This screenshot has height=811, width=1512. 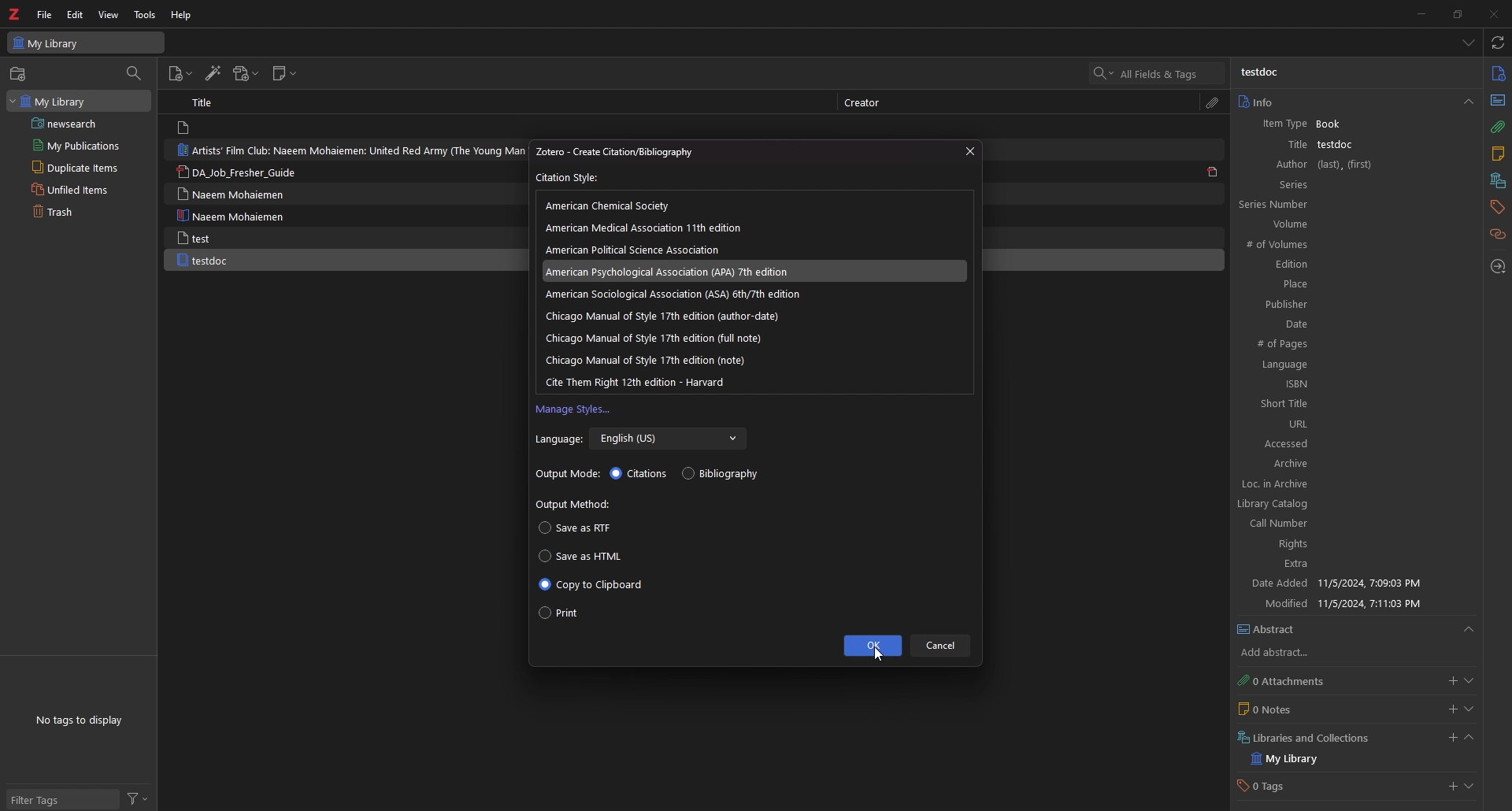 I want to click on DA_Job_Fresher_Guide, so click(x=244, y=173).